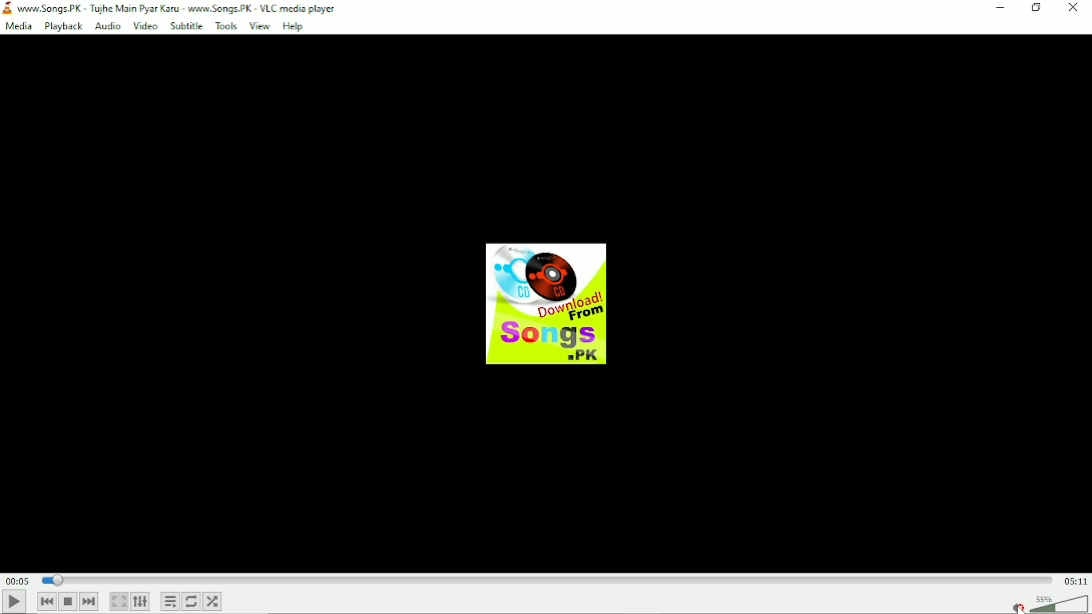 This screenshot has height=614, width=1092. Describe the element at coordinates (548, 304) in the screenshot. I see `Audio track image` at that location.